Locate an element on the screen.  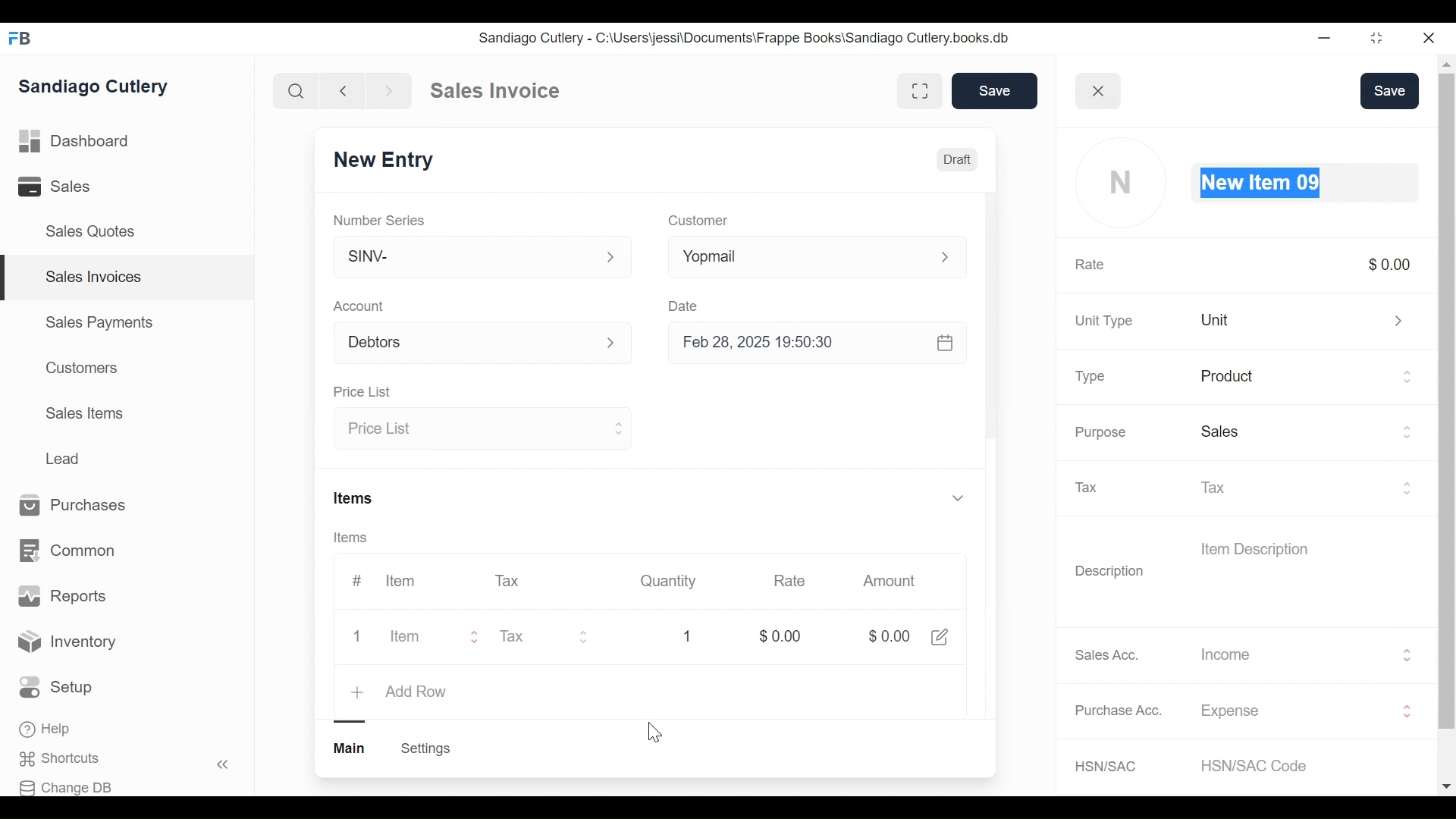
Purpose is located at coordinates (1100, 432).